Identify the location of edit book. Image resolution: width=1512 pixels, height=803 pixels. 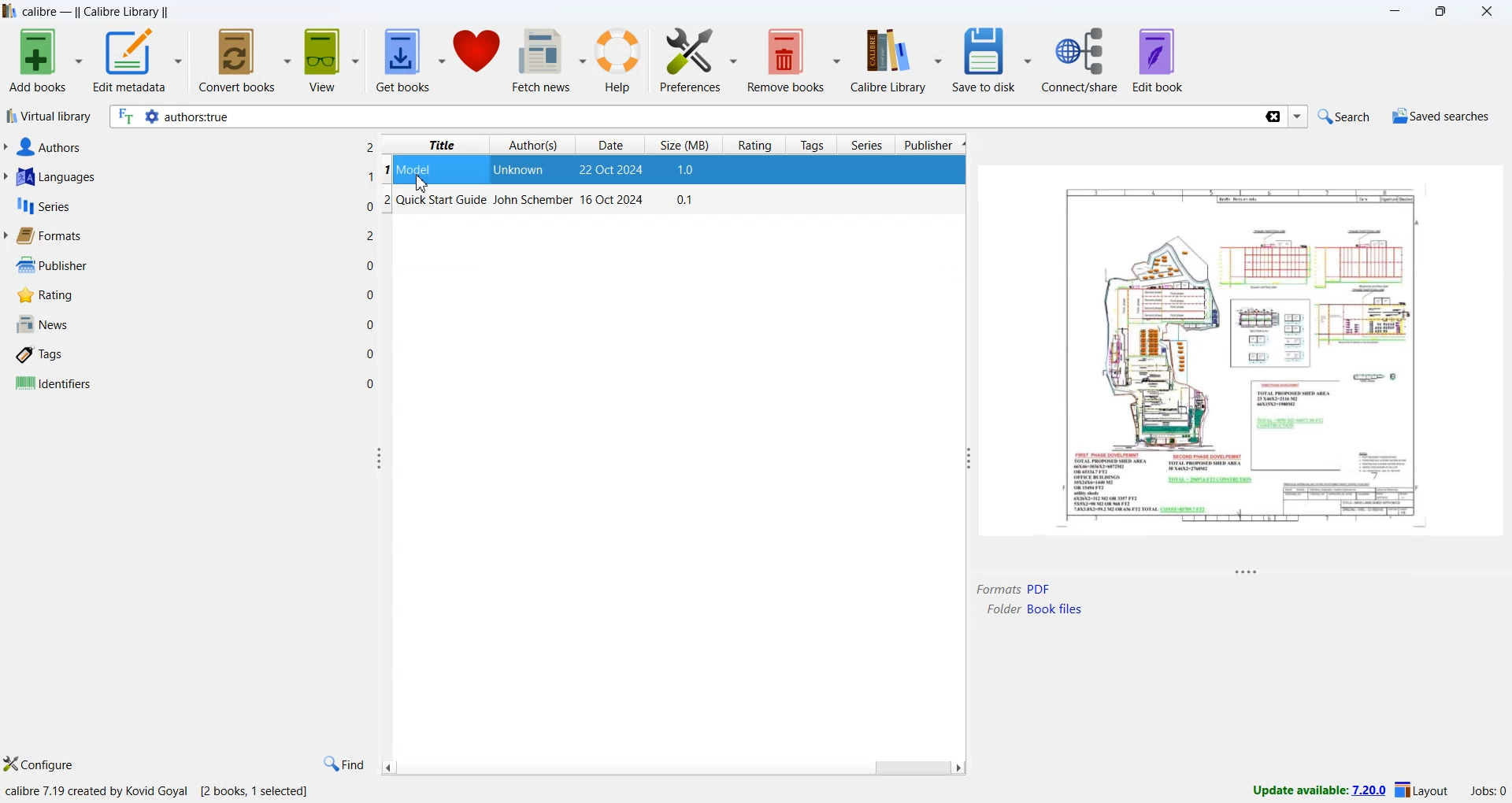
(1158, 60).